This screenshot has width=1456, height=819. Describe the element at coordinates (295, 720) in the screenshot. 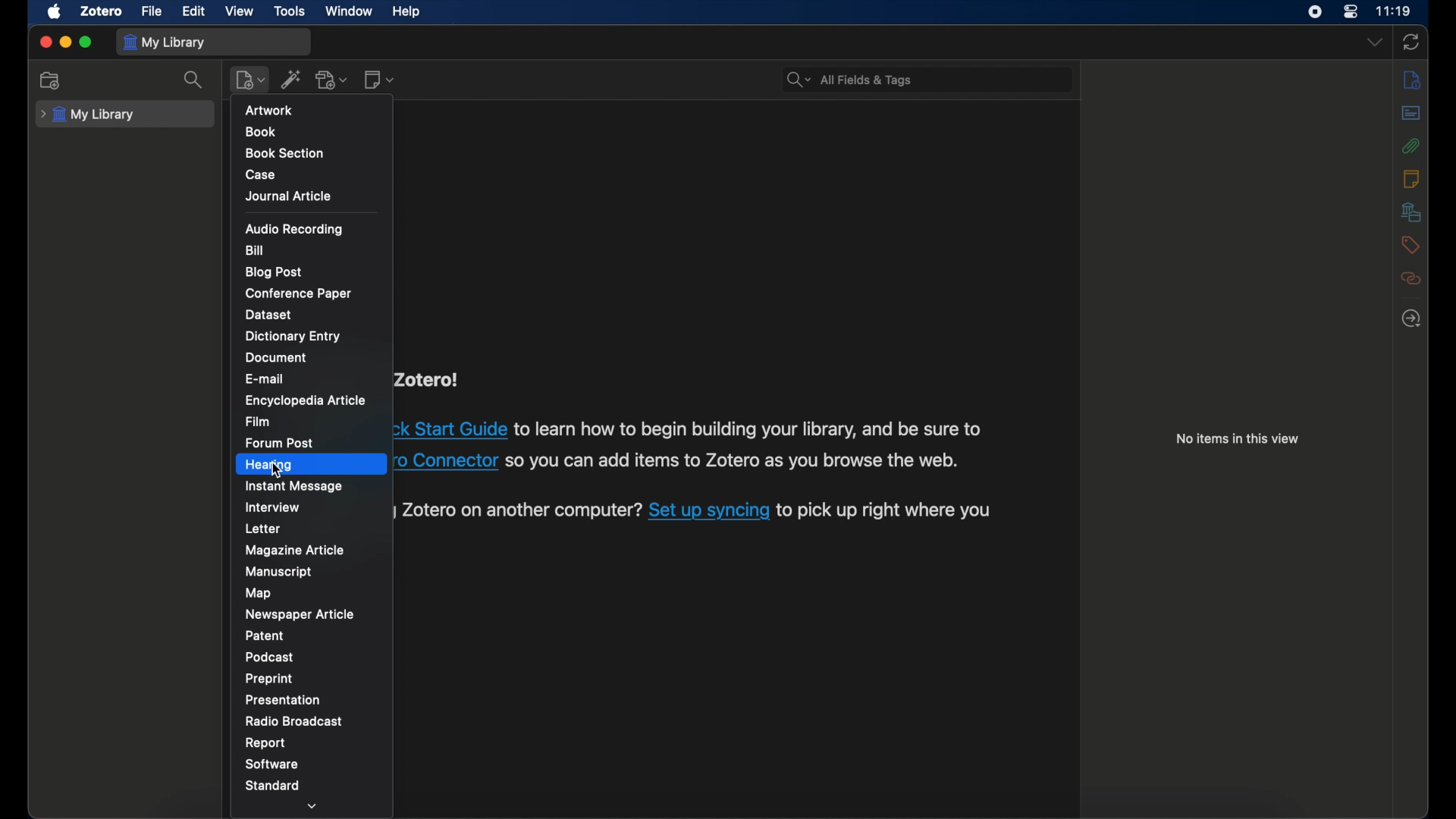

I see `radio broadcast` at that location.